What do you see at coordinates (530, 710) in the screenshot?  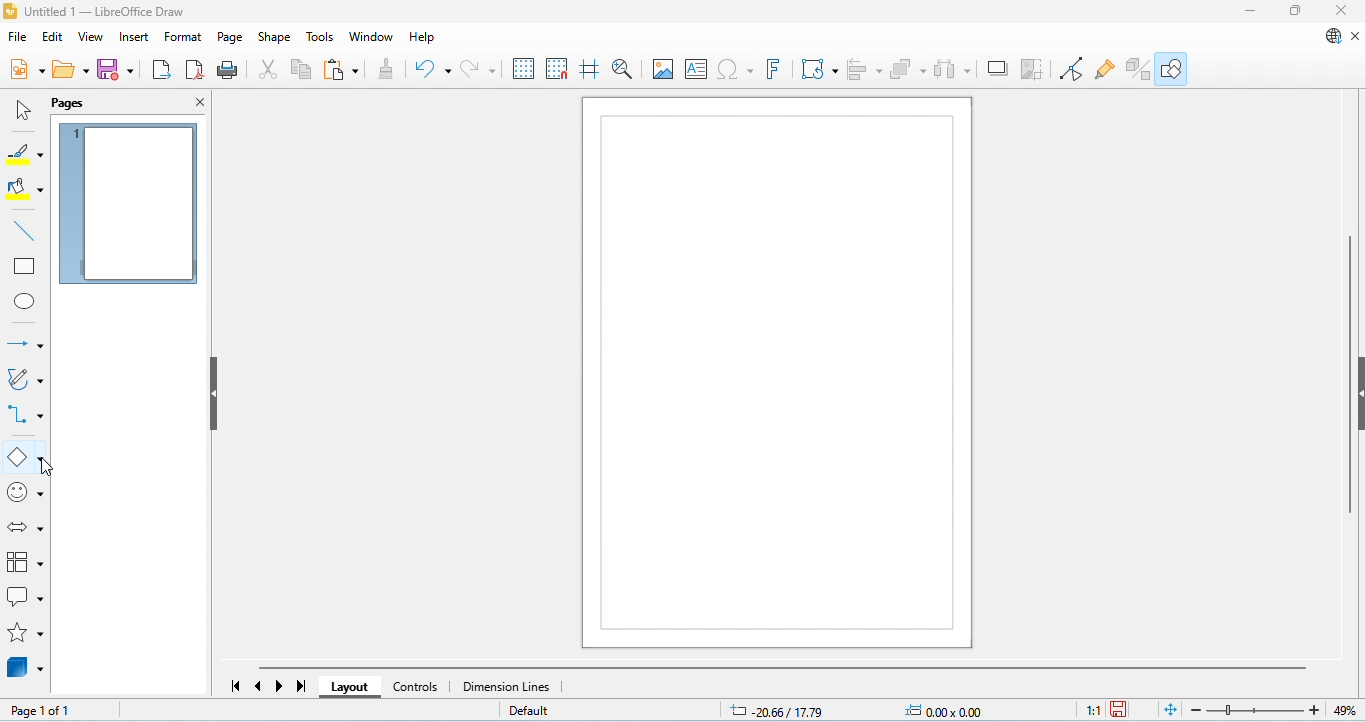 I see `default` at bounding box center [530, 710].